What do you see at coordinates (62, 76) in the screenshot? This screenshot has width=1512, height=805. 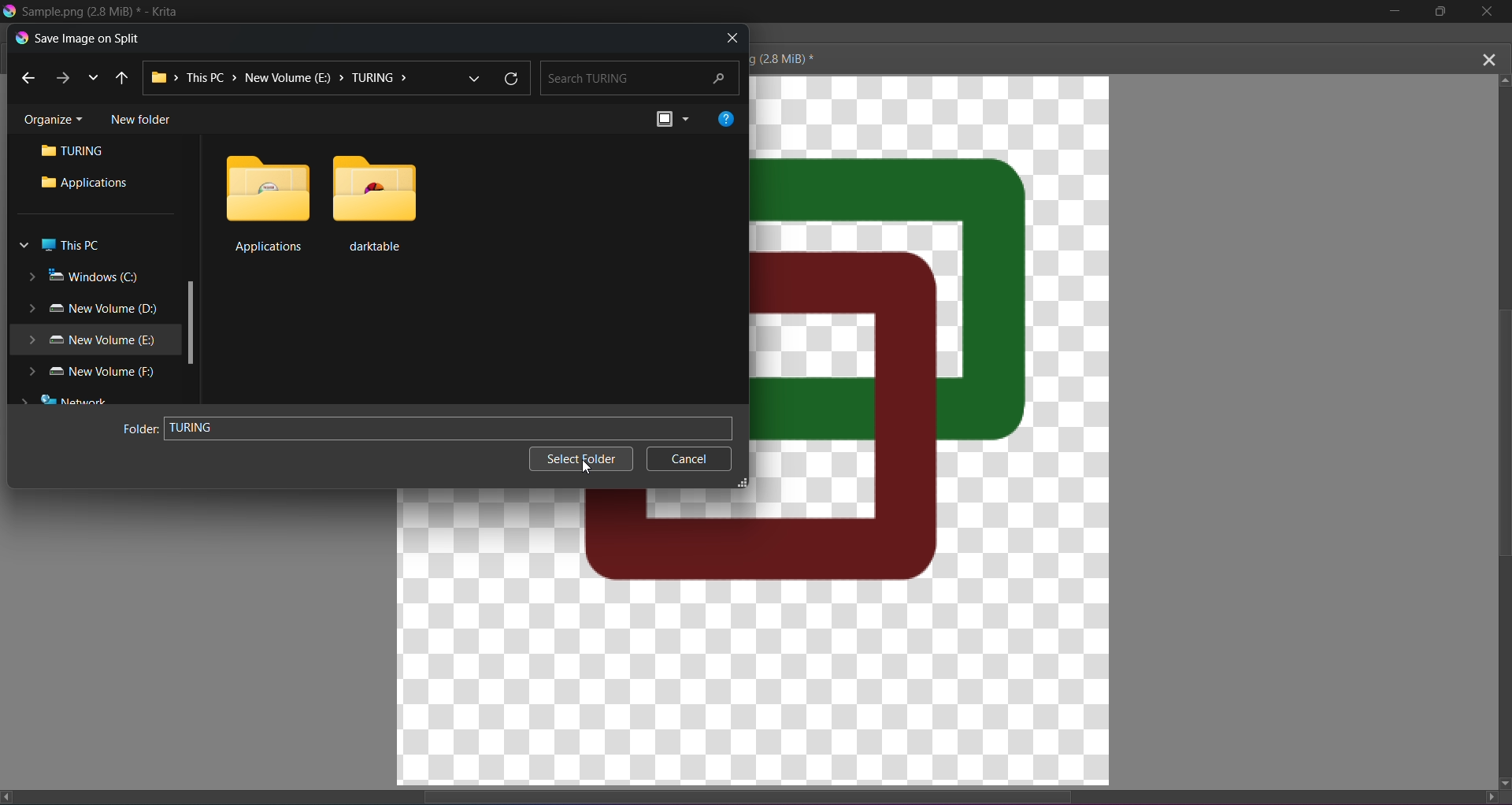 I see `Next` at bounding box center [62, 76].